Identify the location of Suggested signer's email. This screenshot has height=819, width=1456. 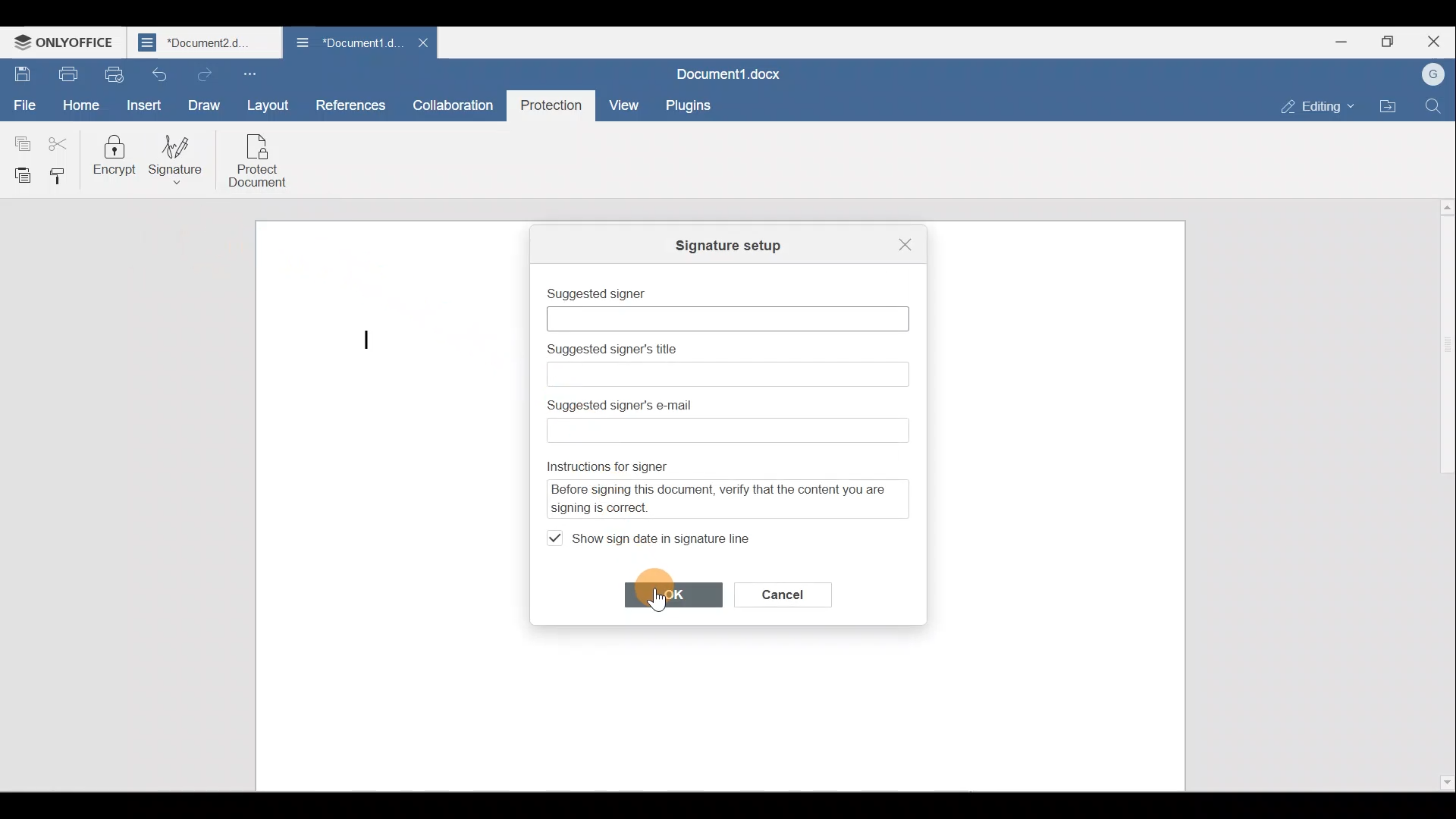
(629, 406).